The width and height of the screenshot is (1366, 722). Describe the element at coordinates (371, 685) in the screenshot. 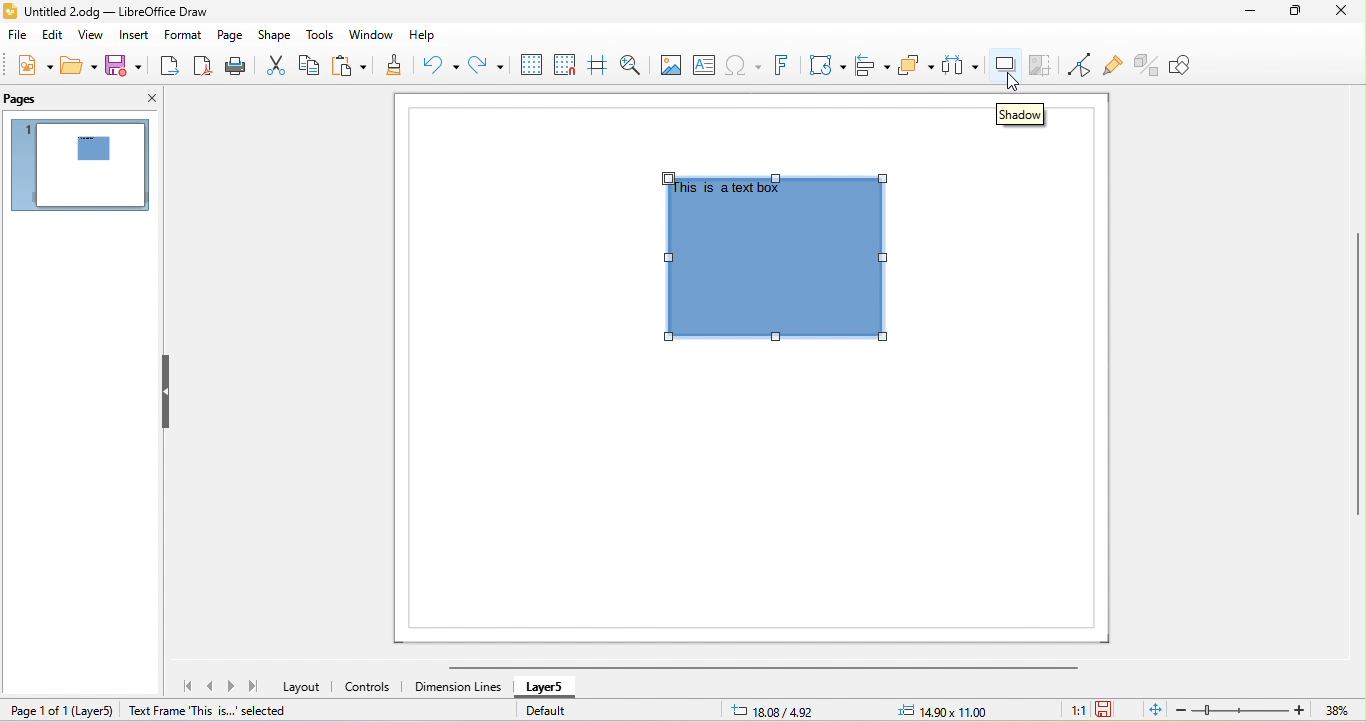

I see `controls` at that location.